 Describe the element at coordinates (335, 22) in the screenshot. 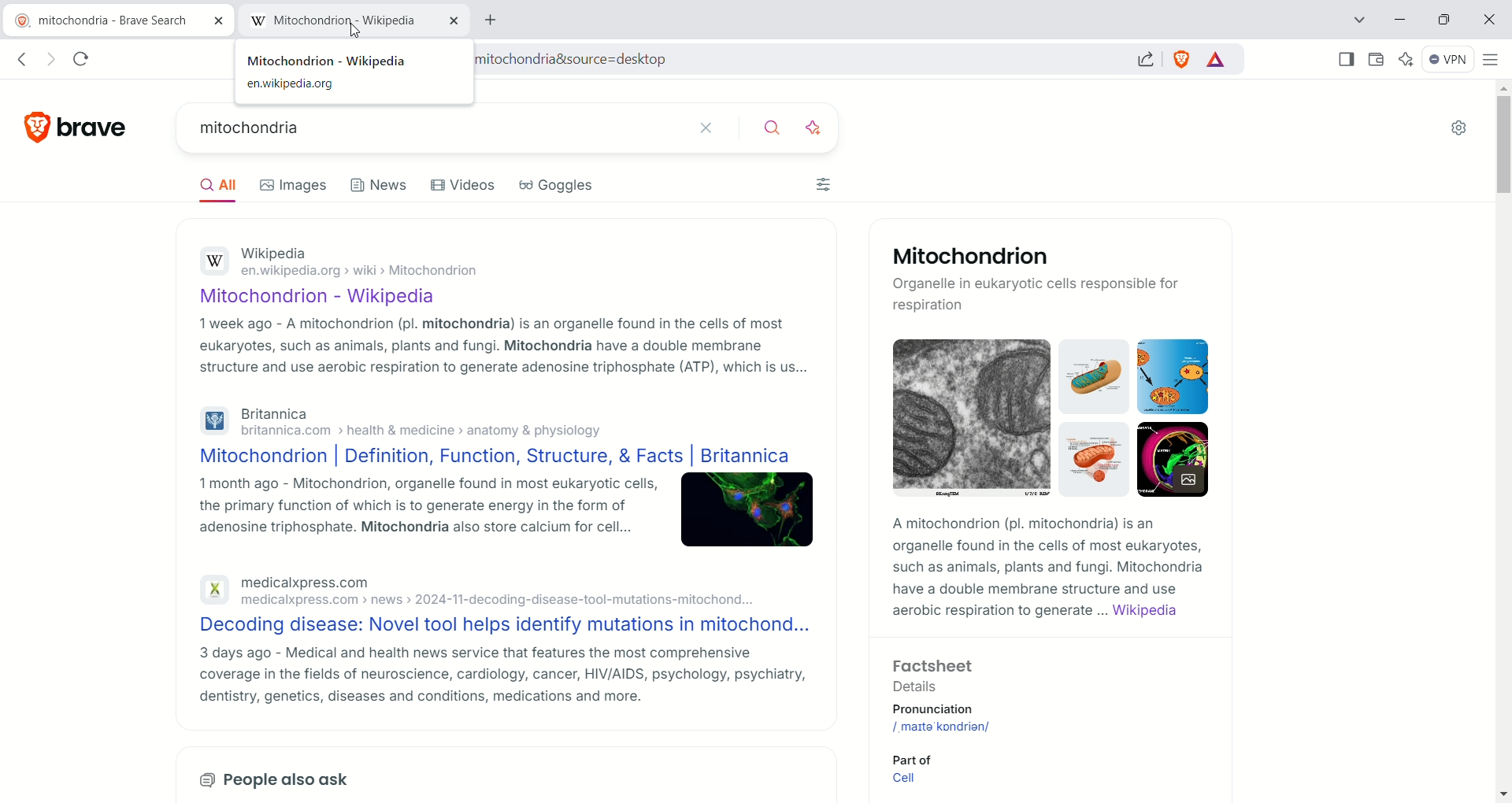

I see `new tab` at that location.